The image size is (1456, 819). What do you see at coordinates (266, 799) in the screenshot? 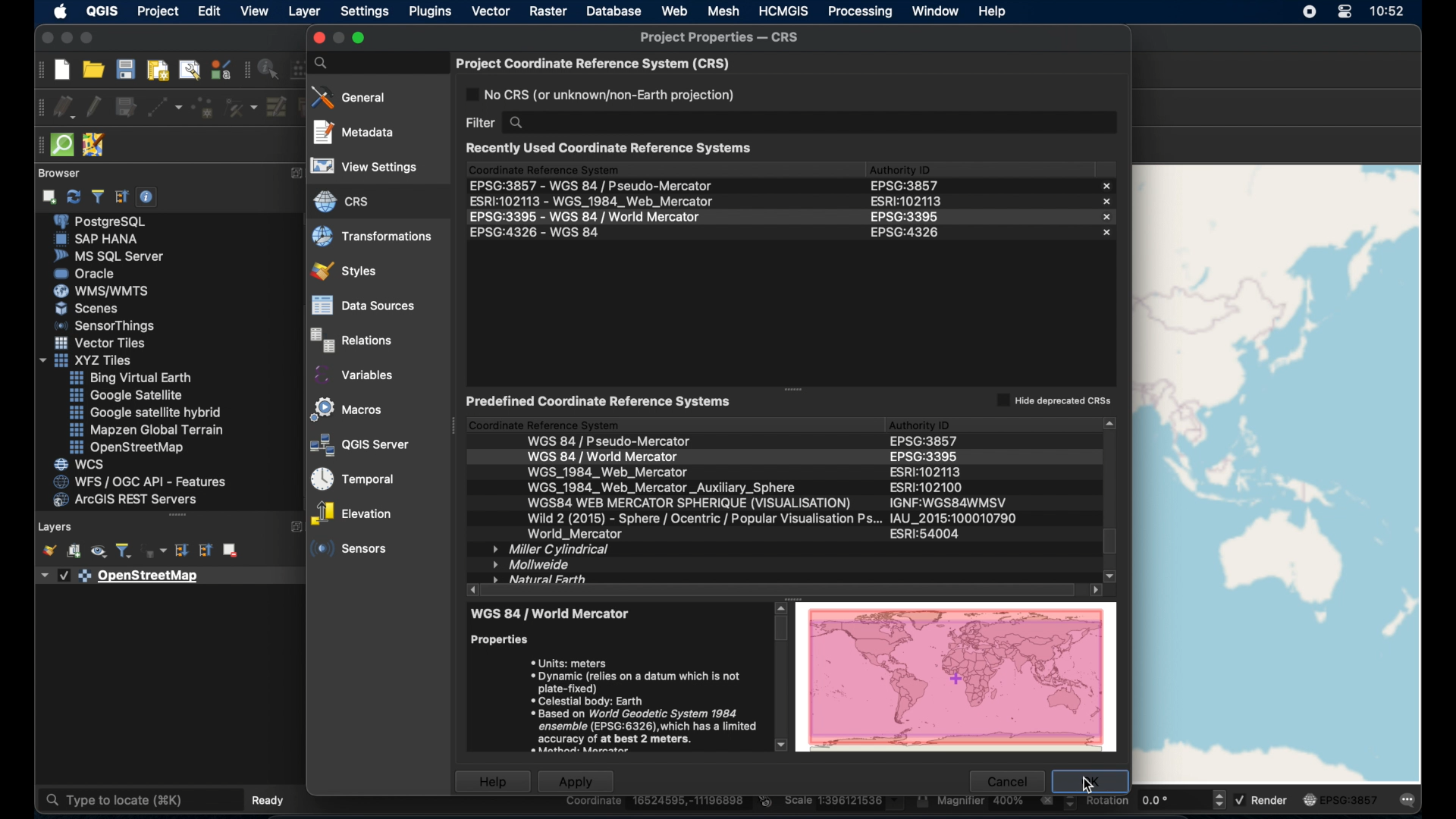
I see `ready` at bounding box center [266, 799].